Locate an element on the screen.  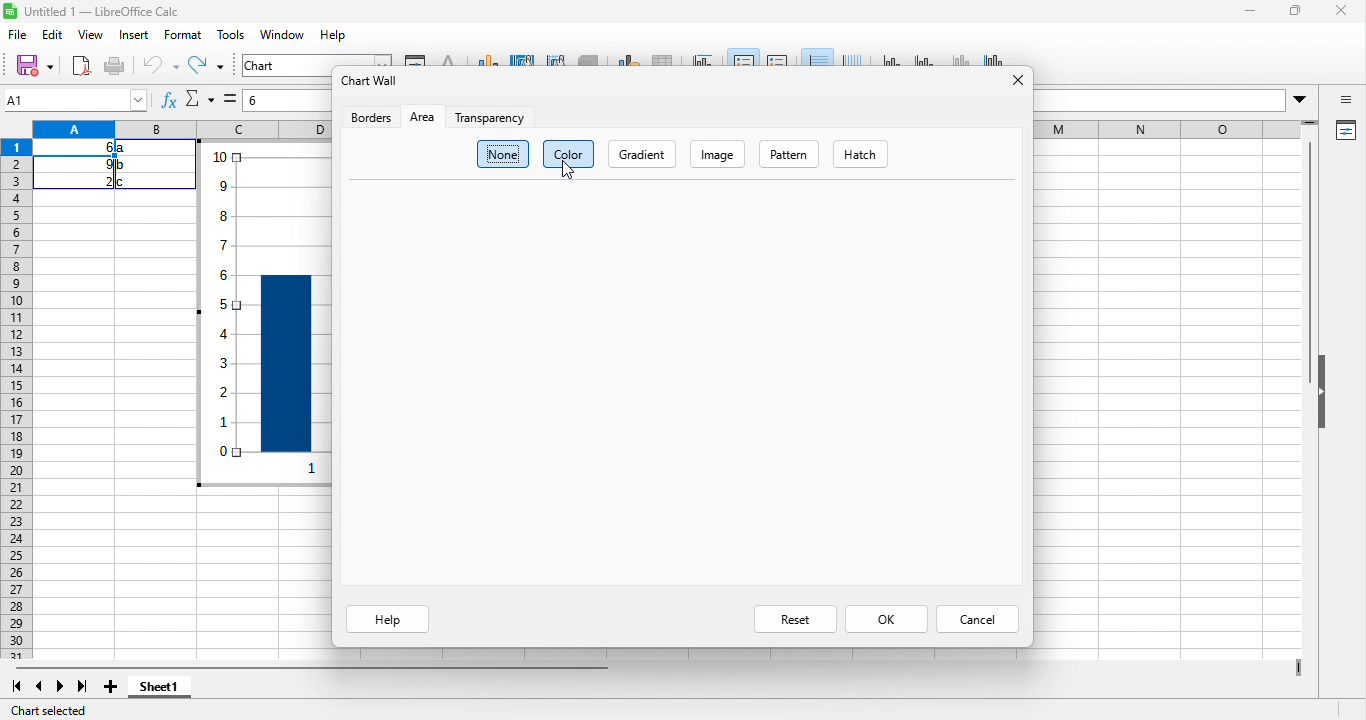
previous is located at coordinates (39, 688).